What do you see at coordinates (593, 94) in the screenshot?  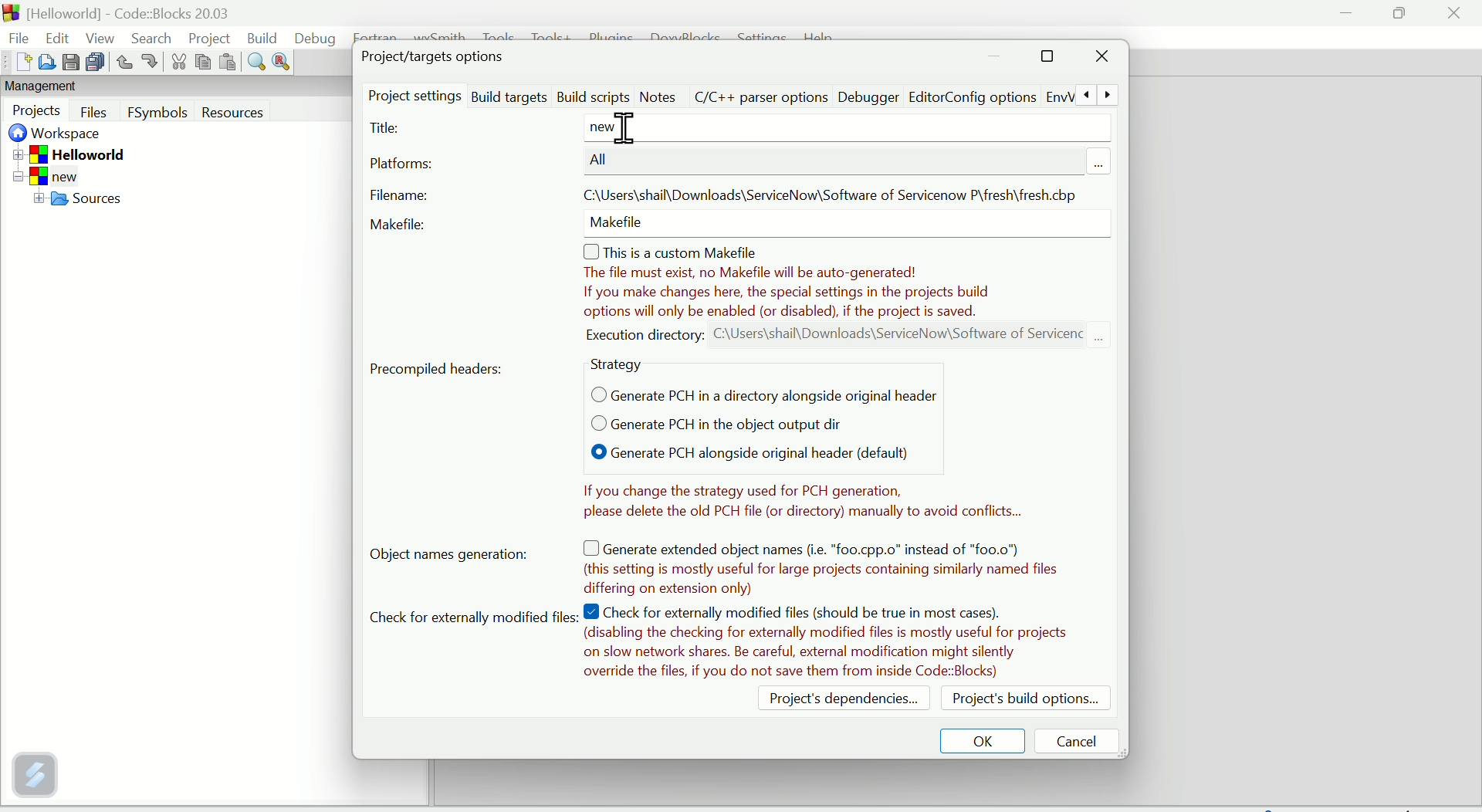 I see `Build scripts` at bounding box center [593, 94].